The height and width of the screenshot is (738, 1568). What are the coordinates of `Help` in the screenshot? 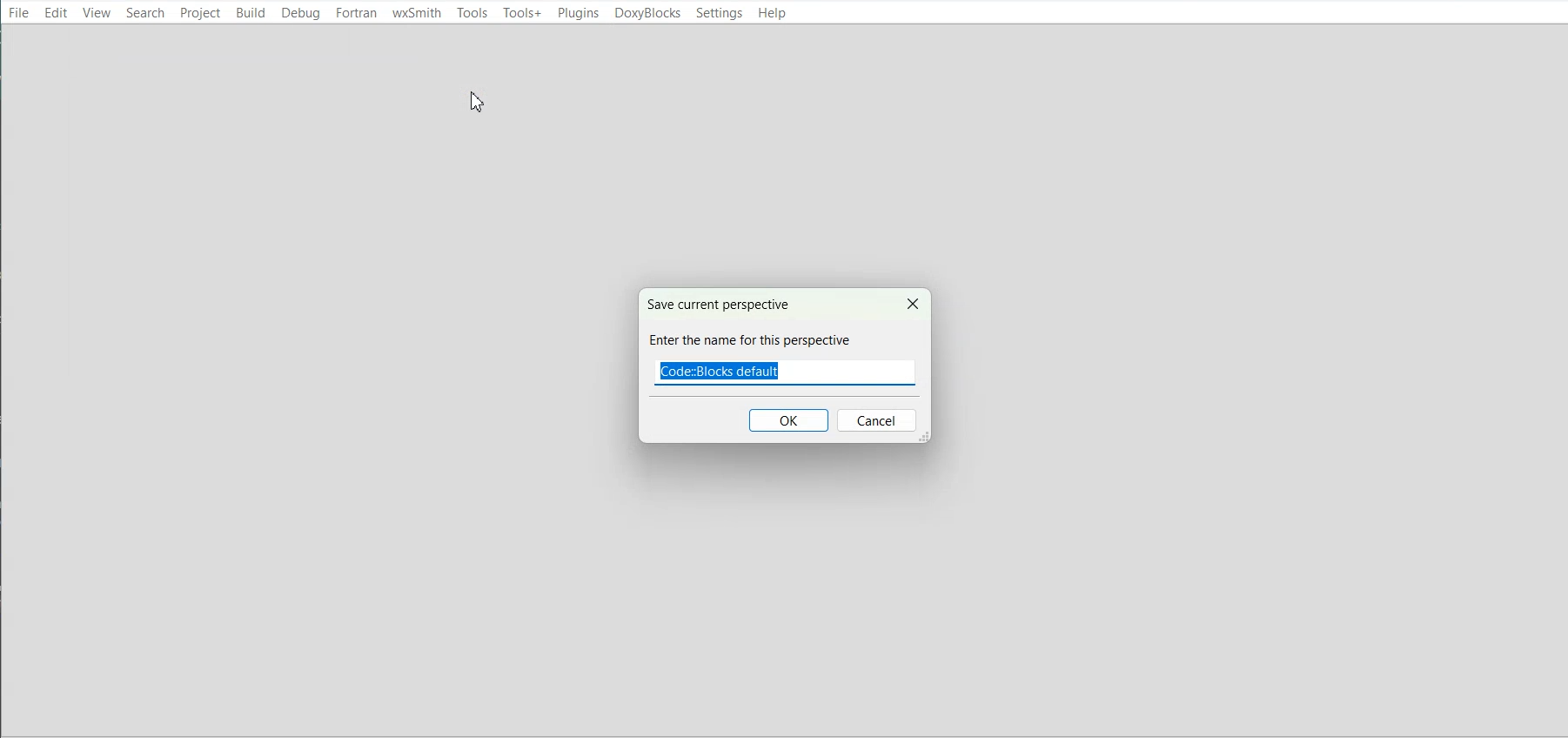 It's located at (770, 14).